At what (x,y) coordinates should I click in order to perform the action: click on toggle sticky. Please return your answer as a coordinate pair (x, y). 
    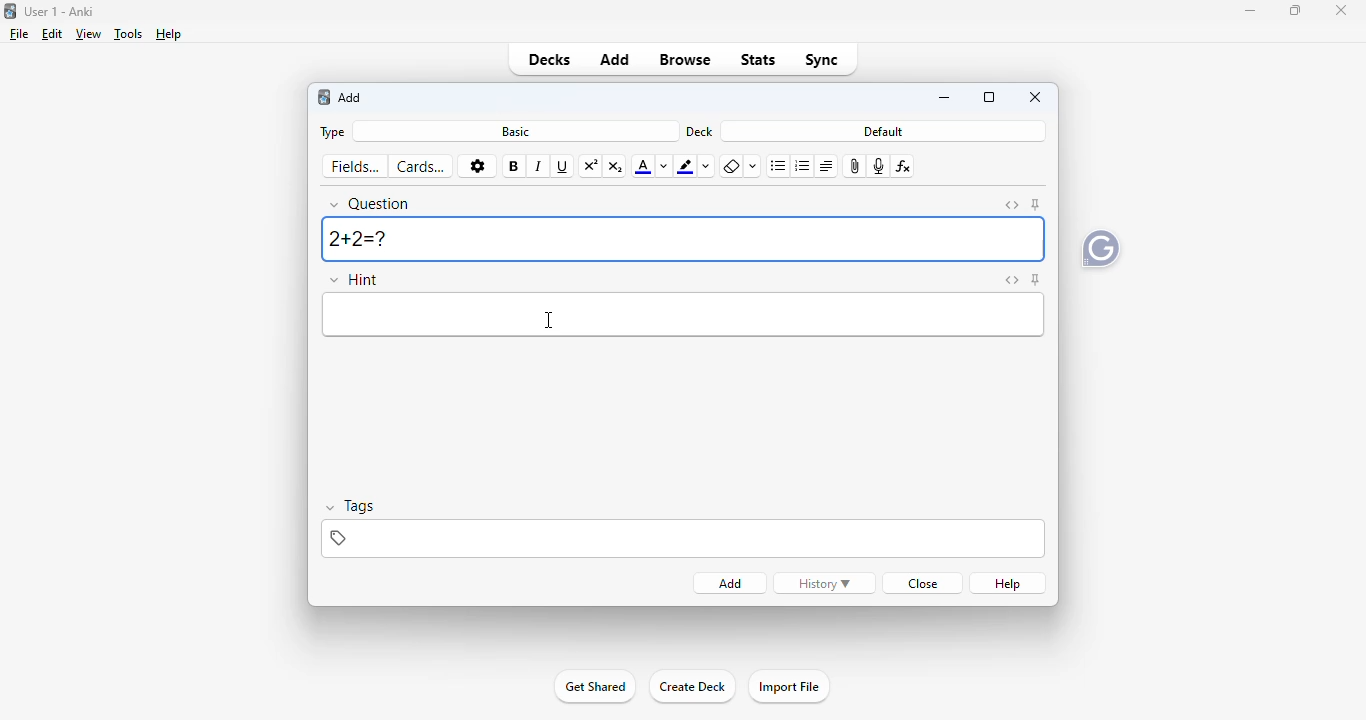
    Looking at the image, I should click on (1036, 279).